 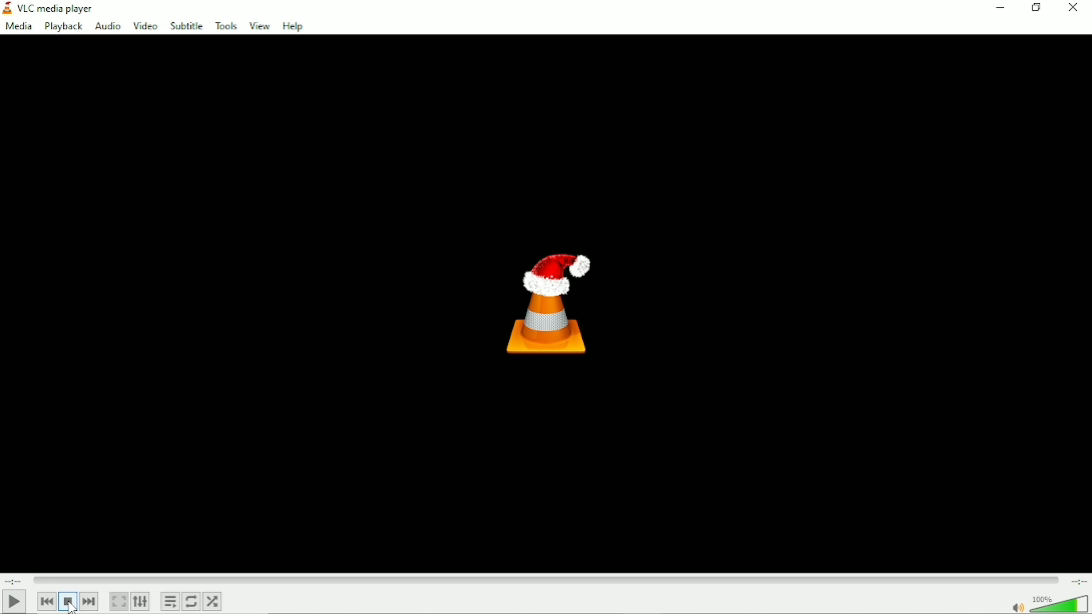 I want to click on Total duration, so click(x=1078, y=581).